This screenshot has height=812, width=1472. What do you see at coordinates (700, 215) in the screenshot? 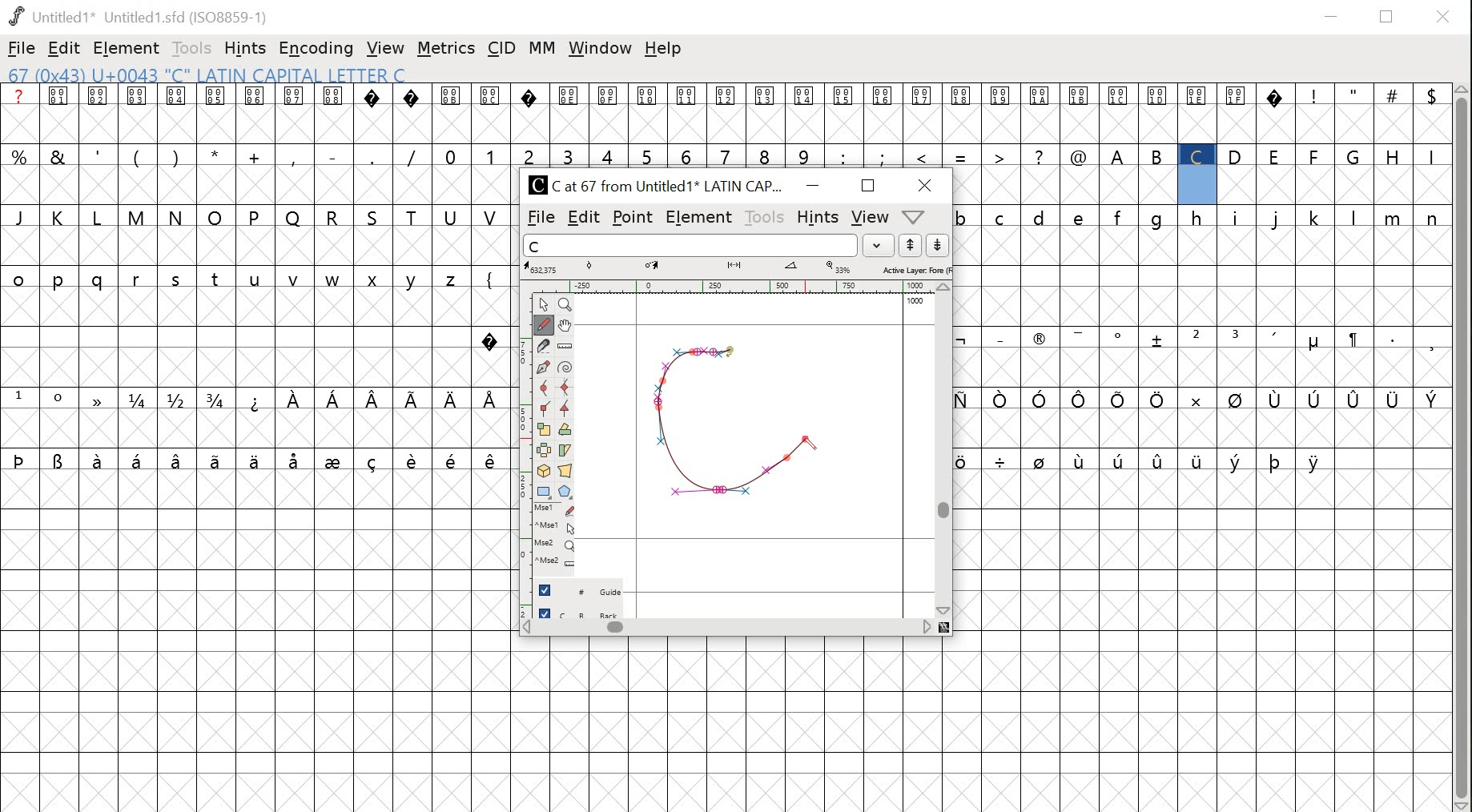
I see `element` at bounding box center [700, 215].